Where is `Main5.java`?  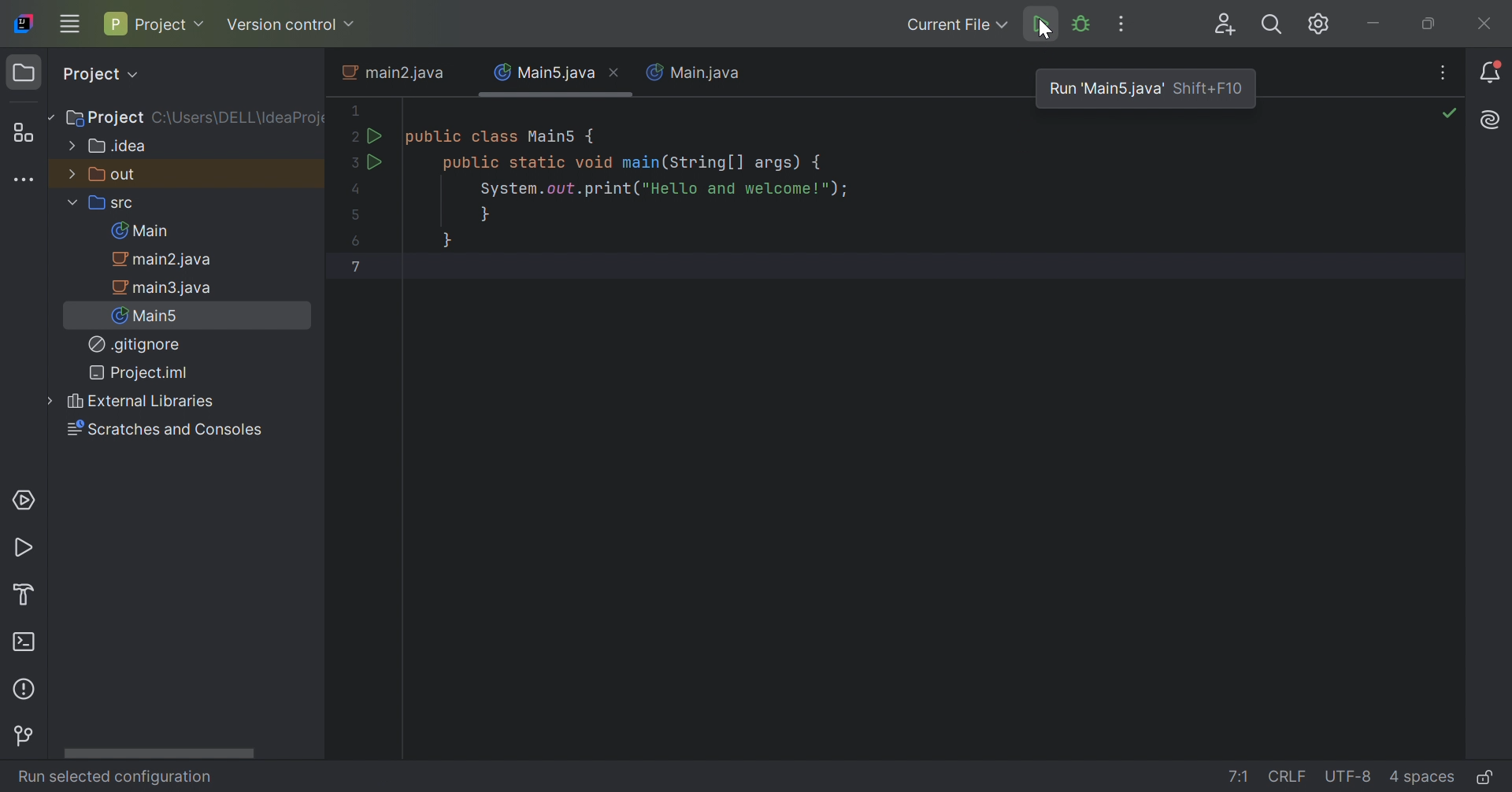 Main5.java is located at coordinates (543, 73).